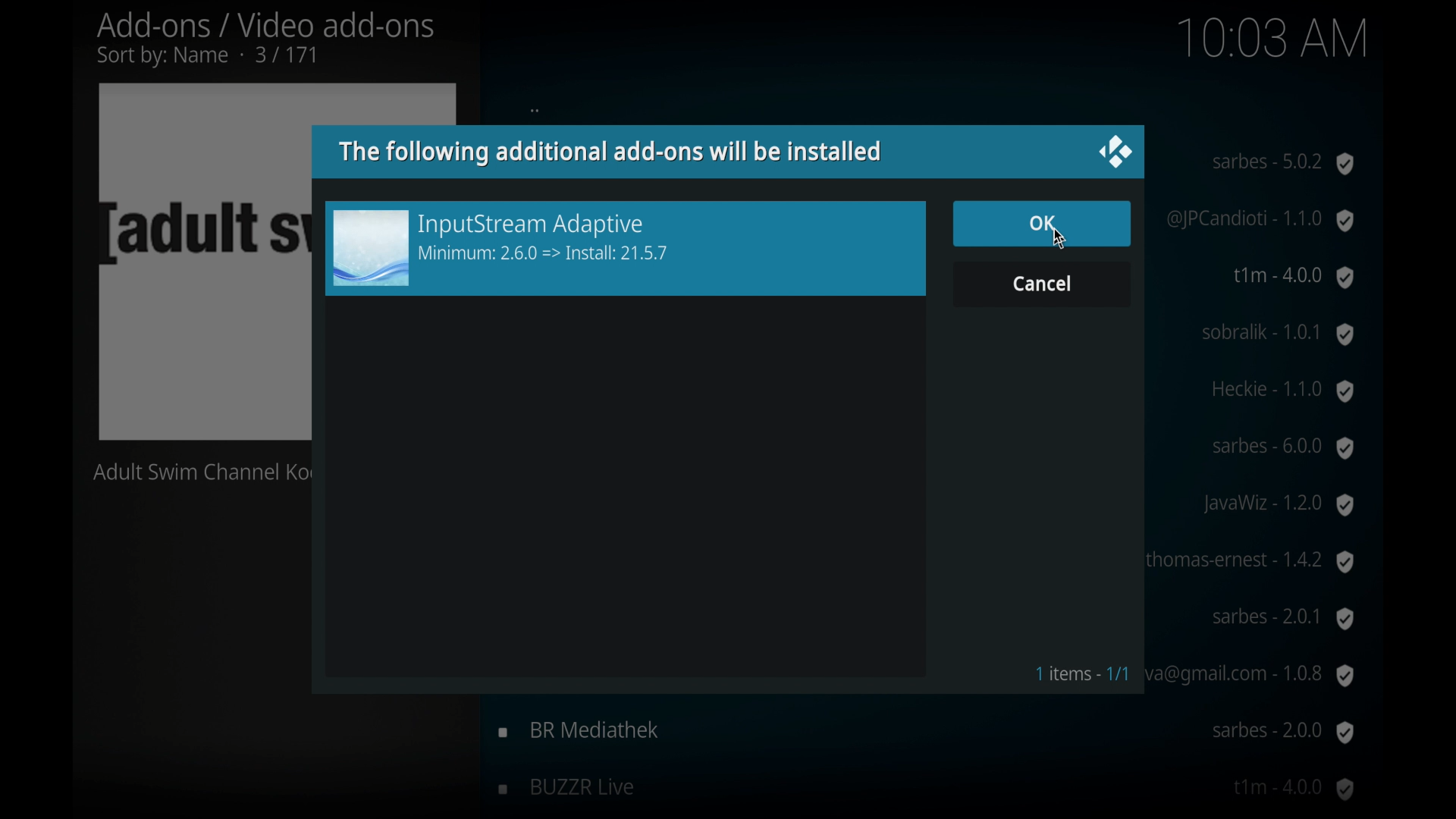  I want to click on javawiz-1.2.0, so click(1257, 504).